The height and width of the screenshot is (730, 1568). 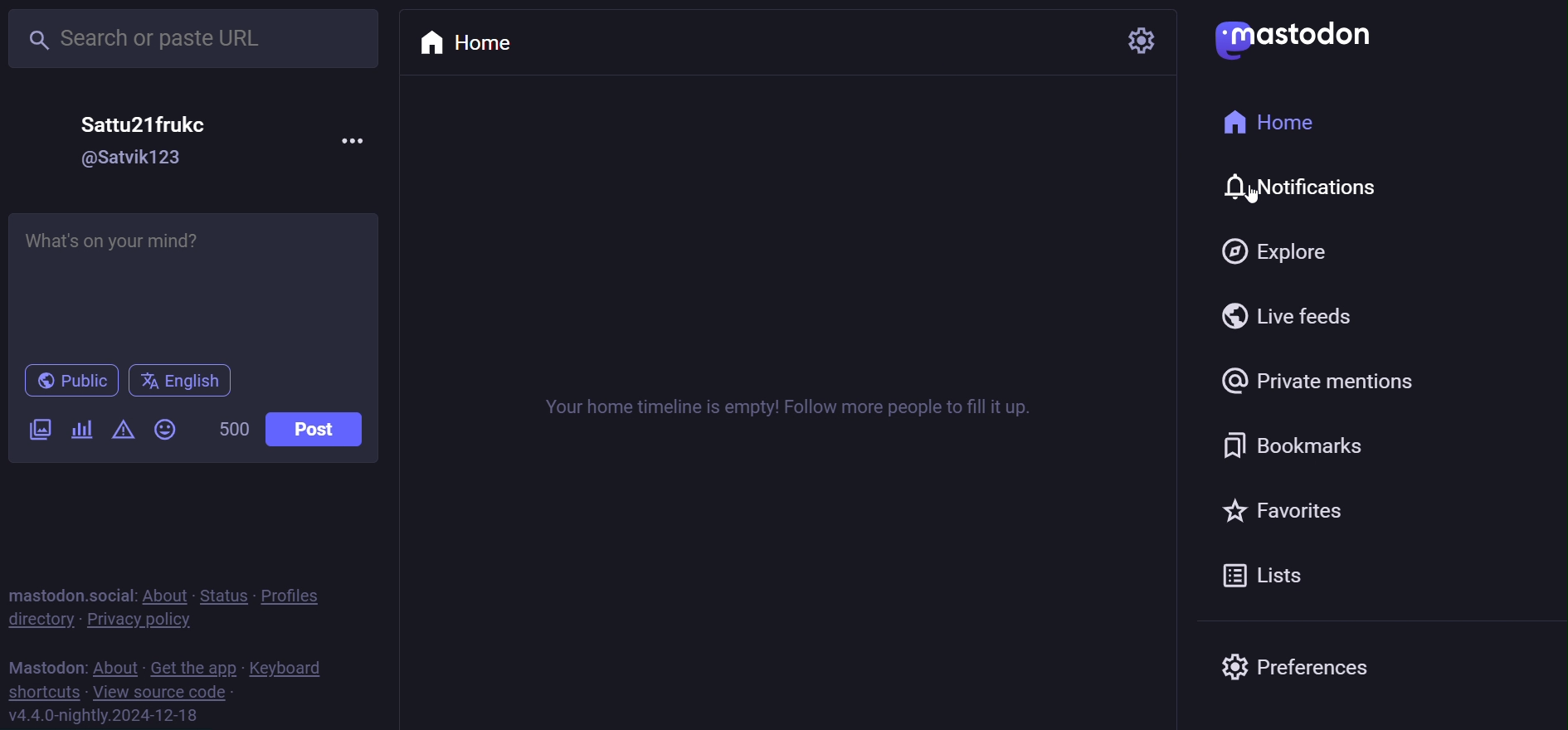 I want to click on list, so click(x=1265, y=573).